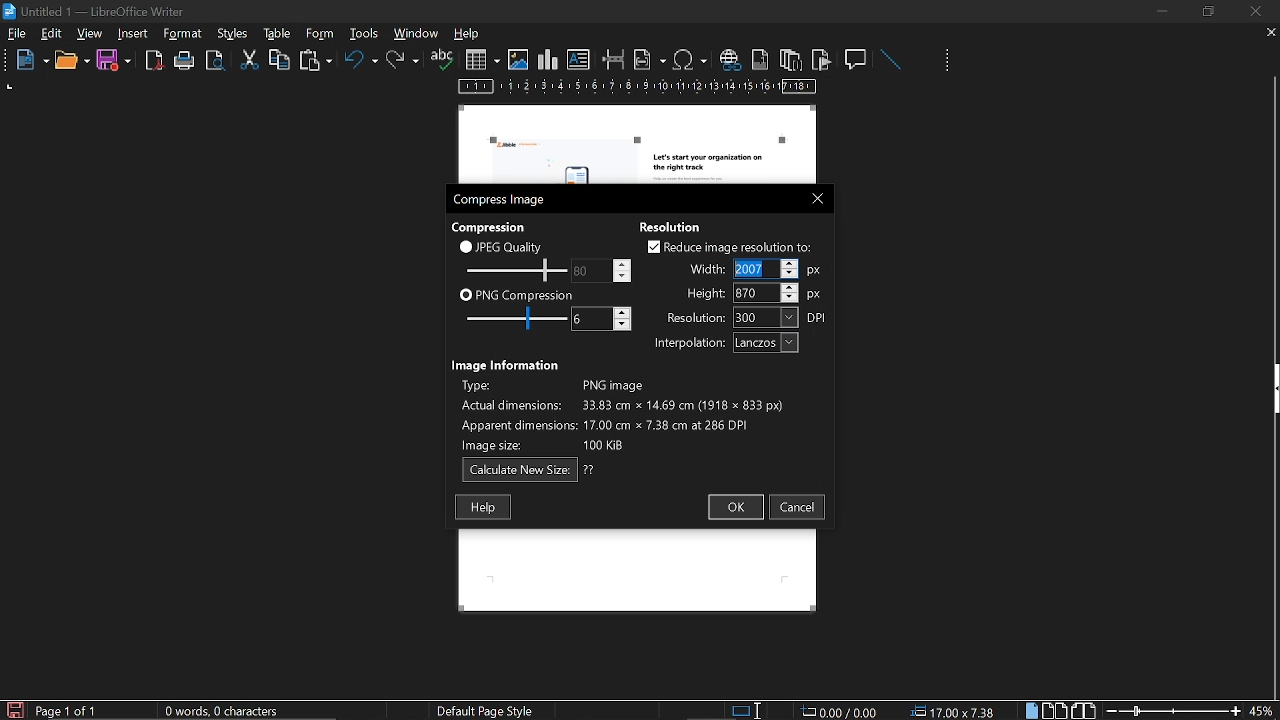 The image size is (1280, 720). I want to click on reduce image resolution, so click(730, 247).